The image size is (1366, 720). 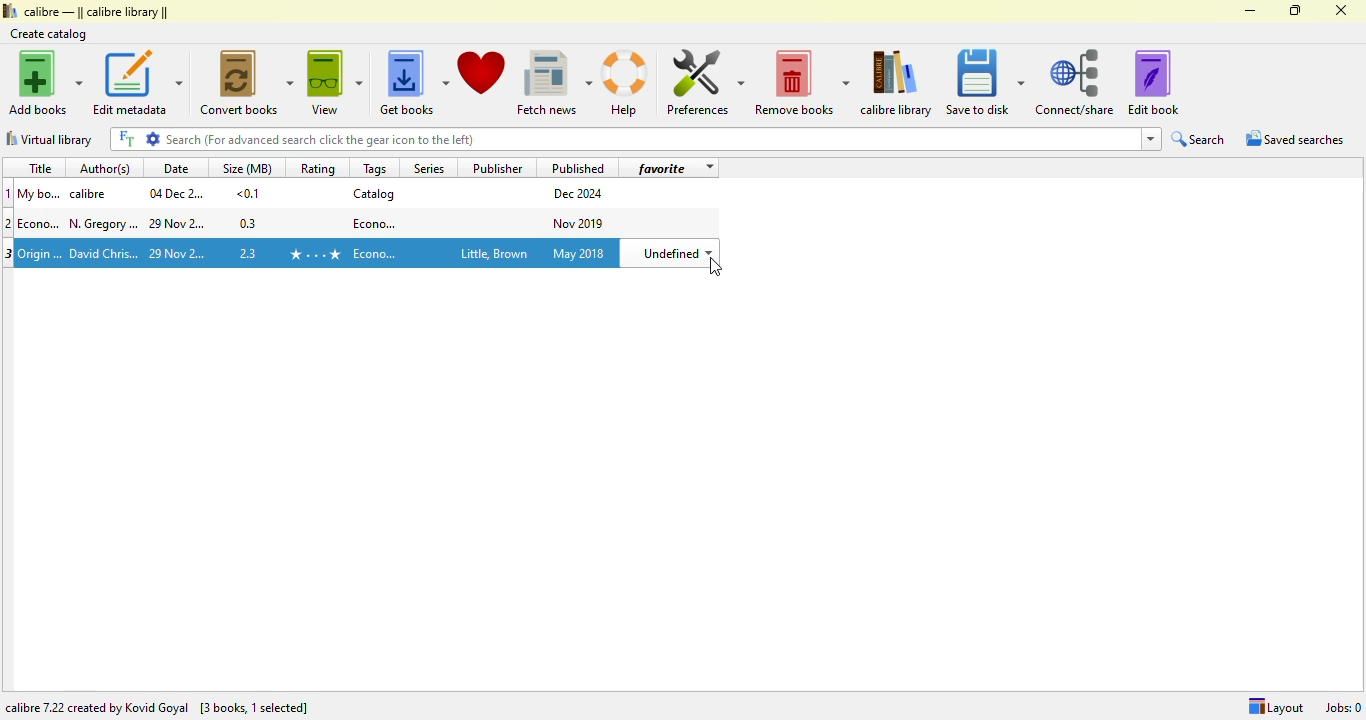 I want to click on date, so click(x=176, y=193).